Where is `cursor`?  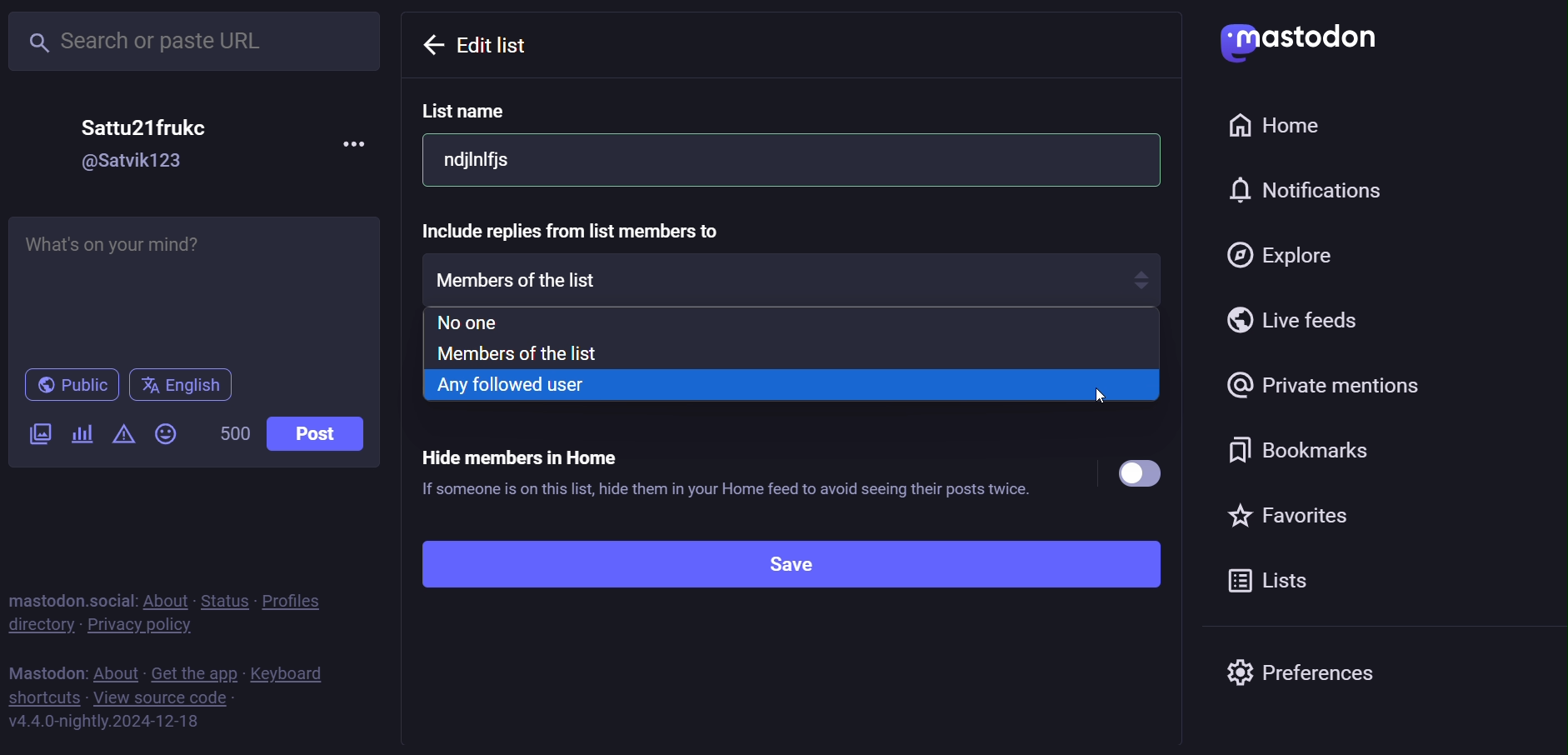
cursor is located at coordinates (1099, 397).